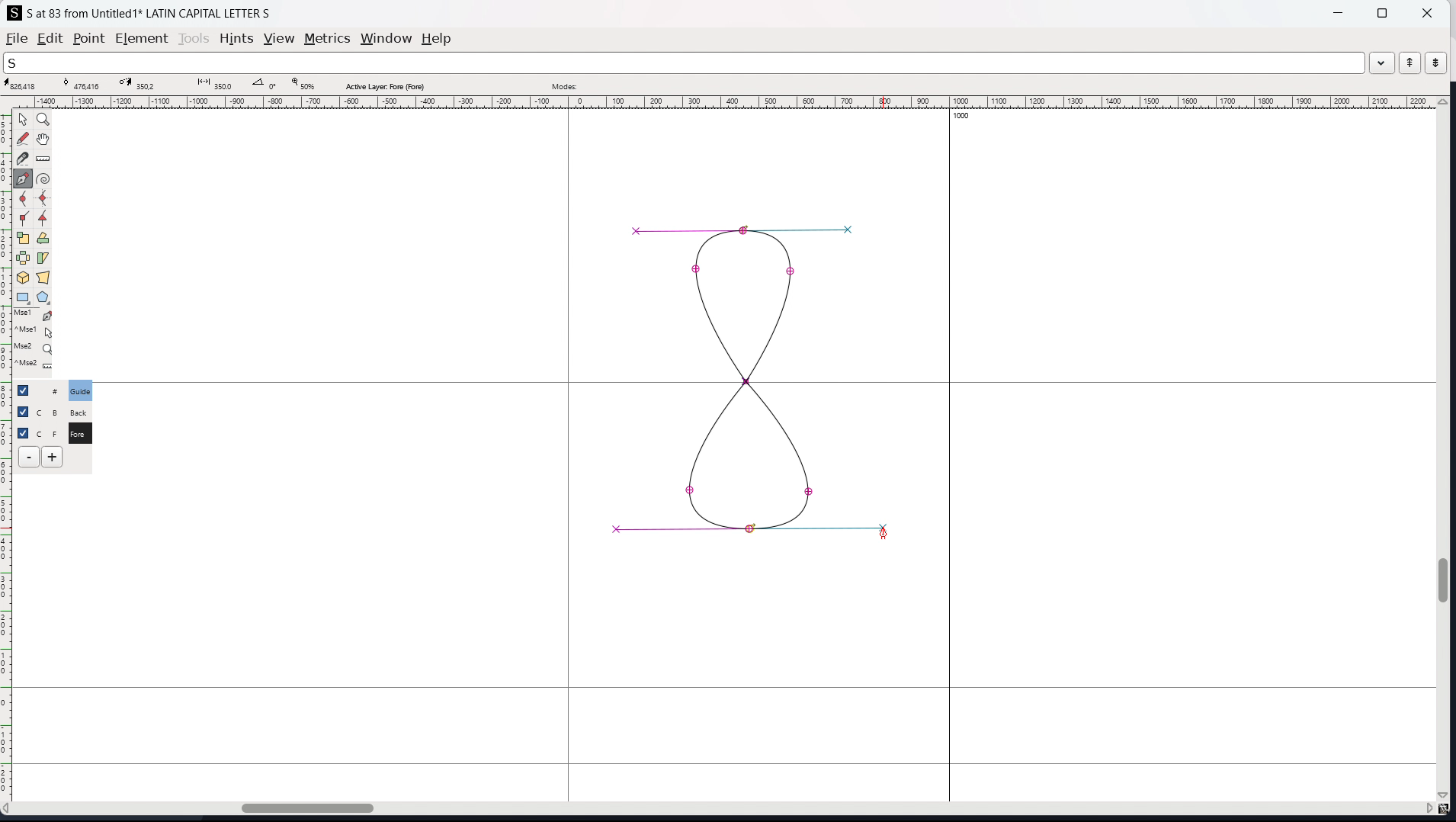 The image size is (1456, 822). What do you see at coordinates (24, 220) in the screenshot?
I see `add a corner point` at bounding box center [24, 220].